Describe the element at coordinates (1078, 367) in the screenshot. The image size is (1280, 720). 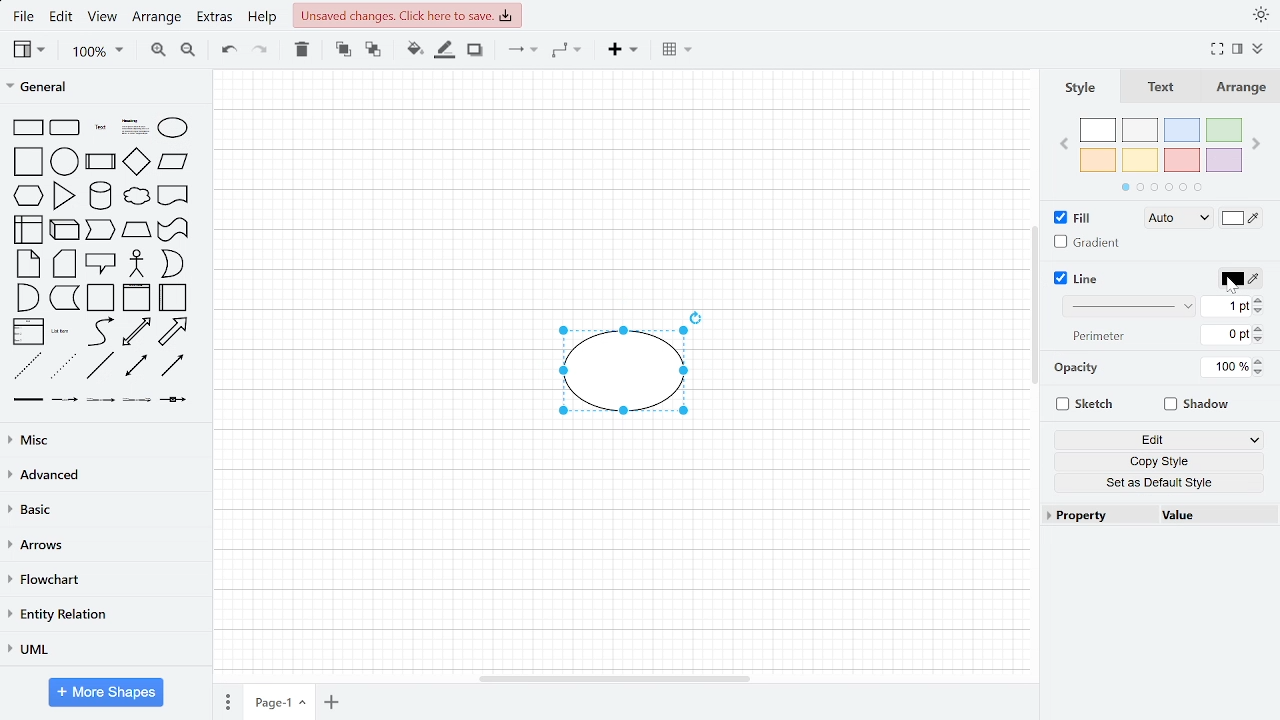
I see `opacity` at that location.